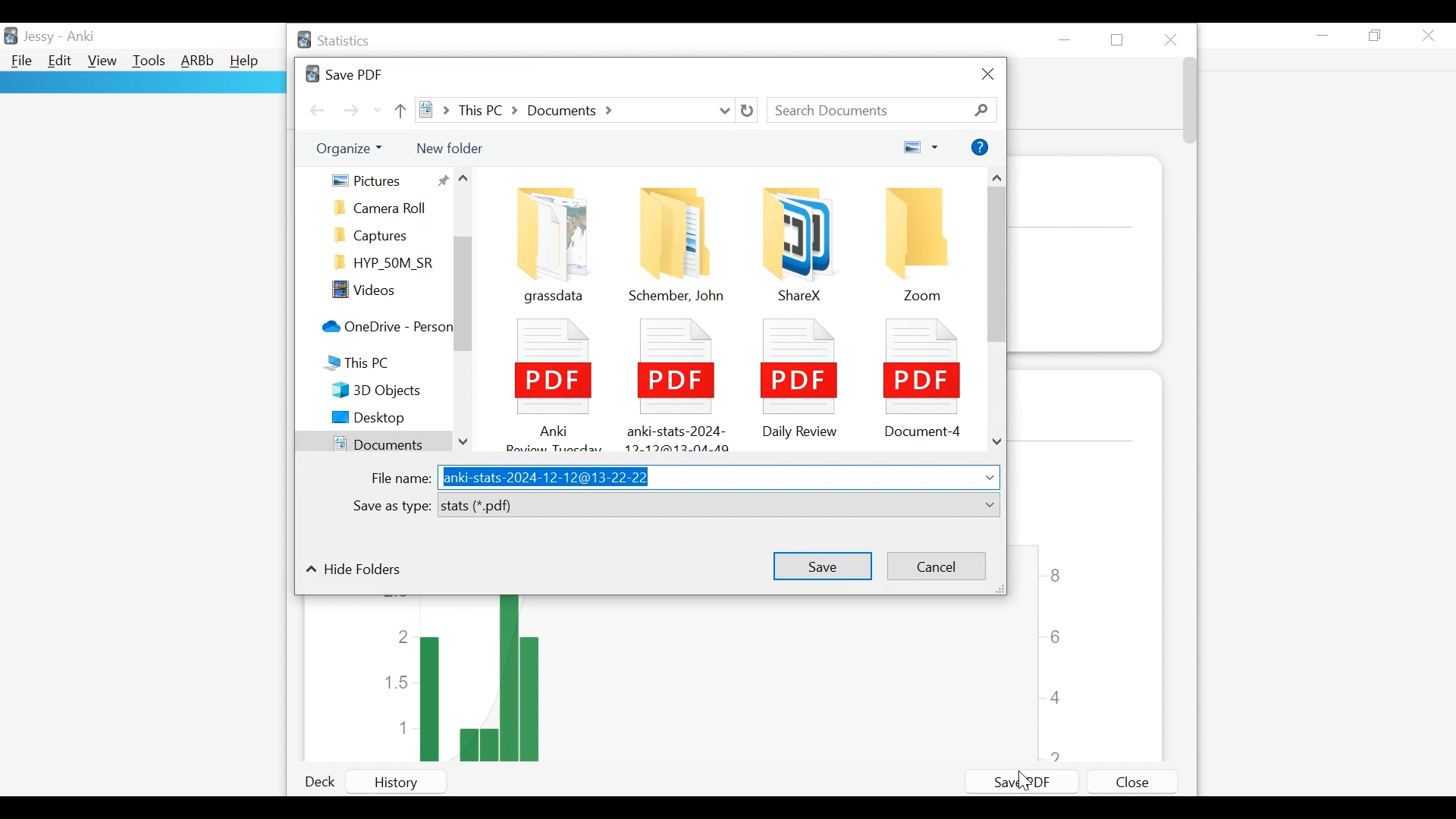 This screenshot has width=1456, height=819. Describe the element at coordinates (1377, 36) in the screenshot. I see `Restore` at that location.